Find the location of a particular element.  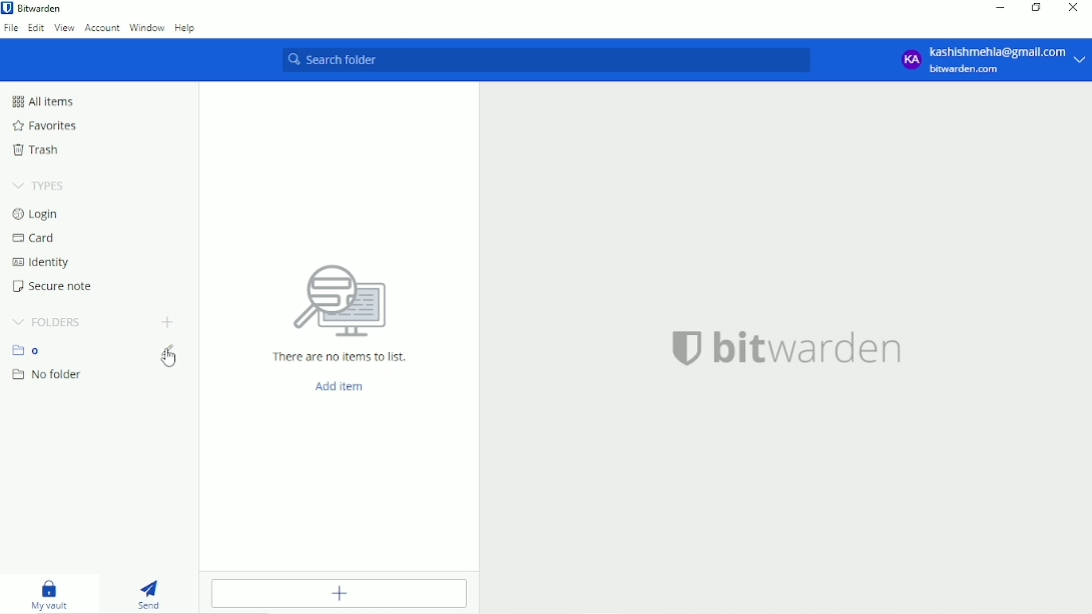

There are no items to list. is located at coordinates (340, 357).